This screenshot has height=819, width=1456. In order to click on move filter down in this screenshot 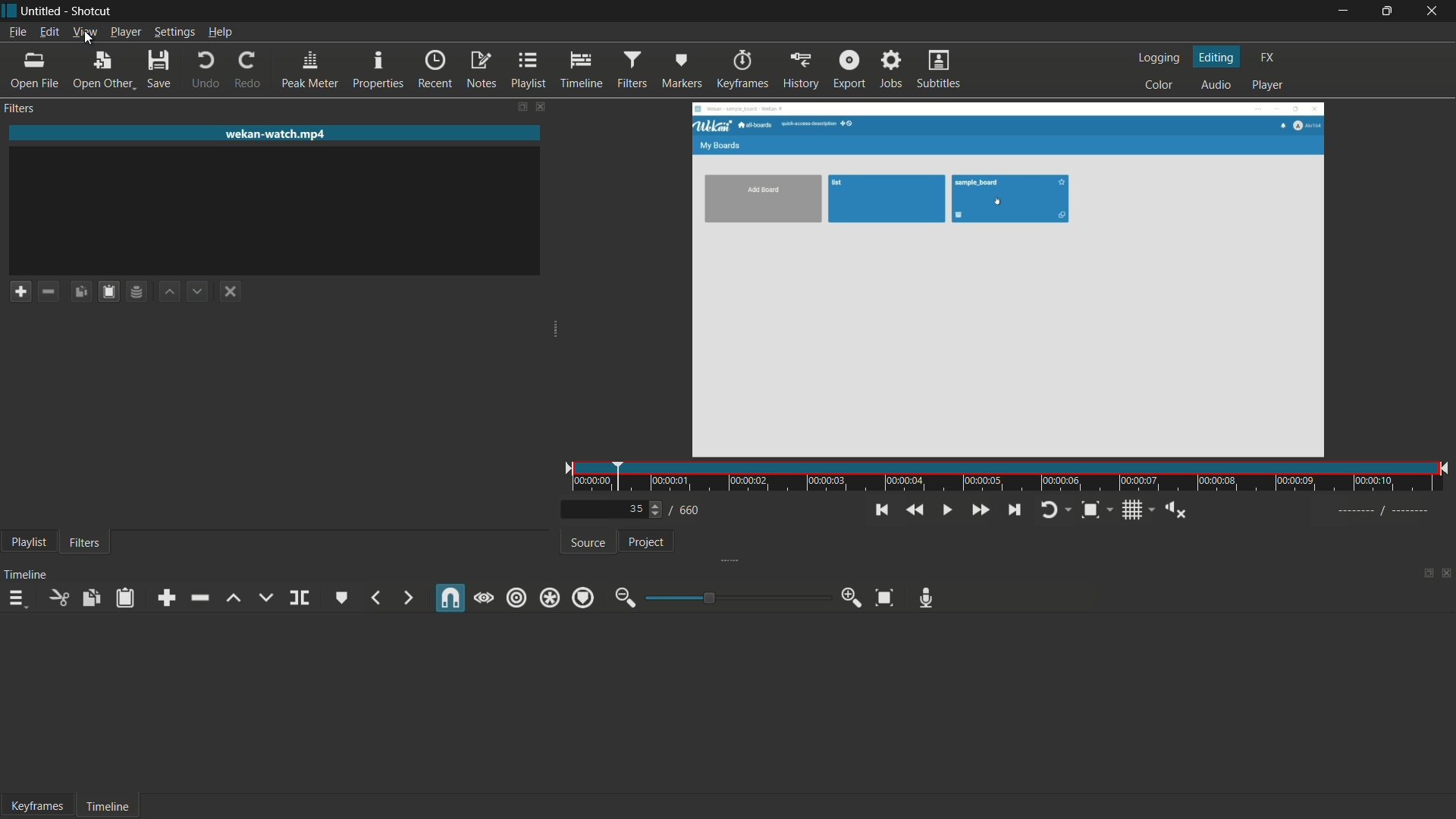, I will do `click(198, 292)`.